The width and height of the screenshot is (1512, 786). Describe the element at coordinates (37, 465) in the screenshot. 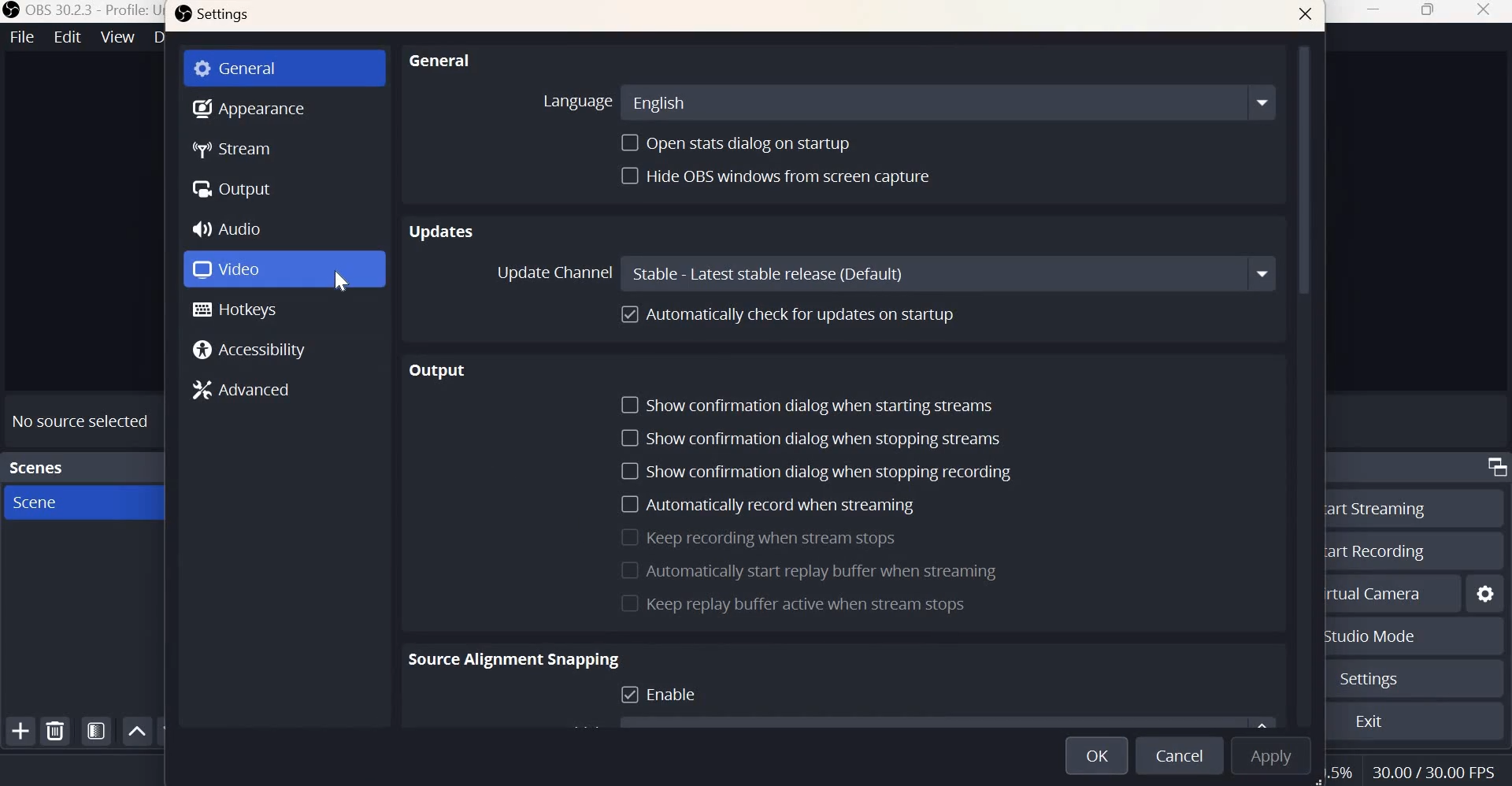

I see `Scenes` at that location.